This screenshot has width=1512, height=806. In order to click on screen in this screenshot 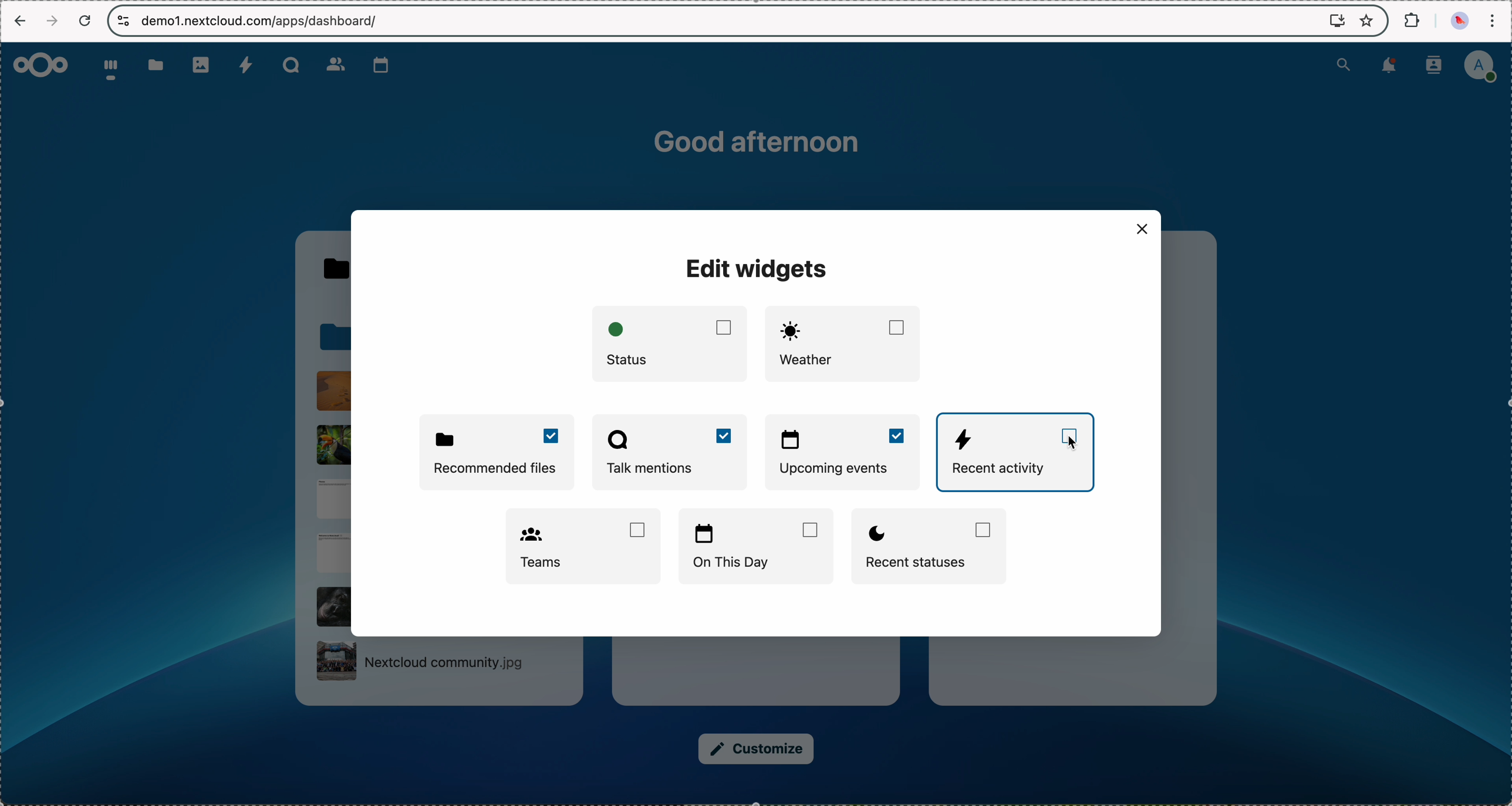, I will do `click(1337, 21)`.